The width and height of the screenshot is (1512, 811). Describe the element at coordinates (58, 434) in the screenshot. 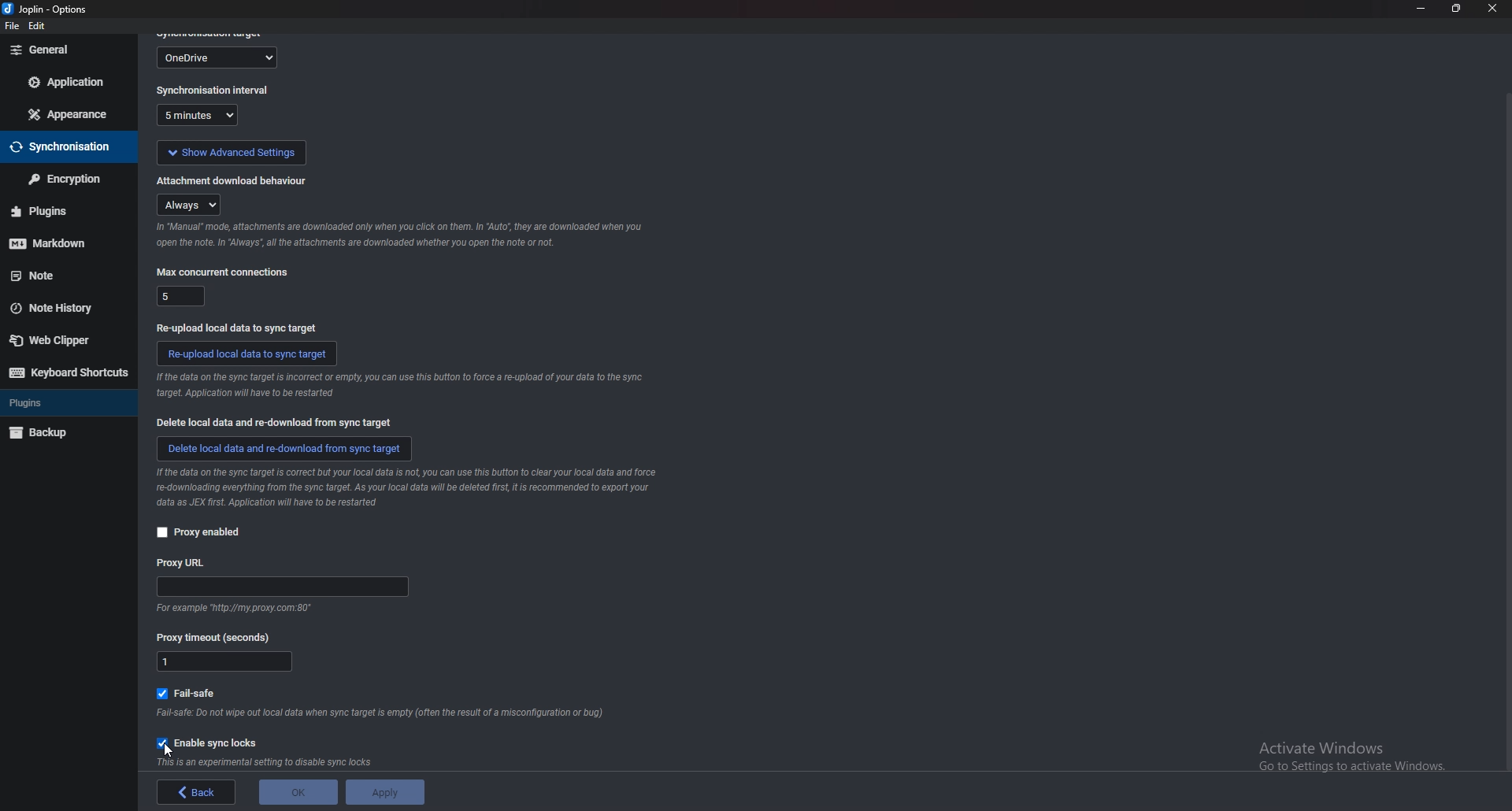

I see `backup` at that location.